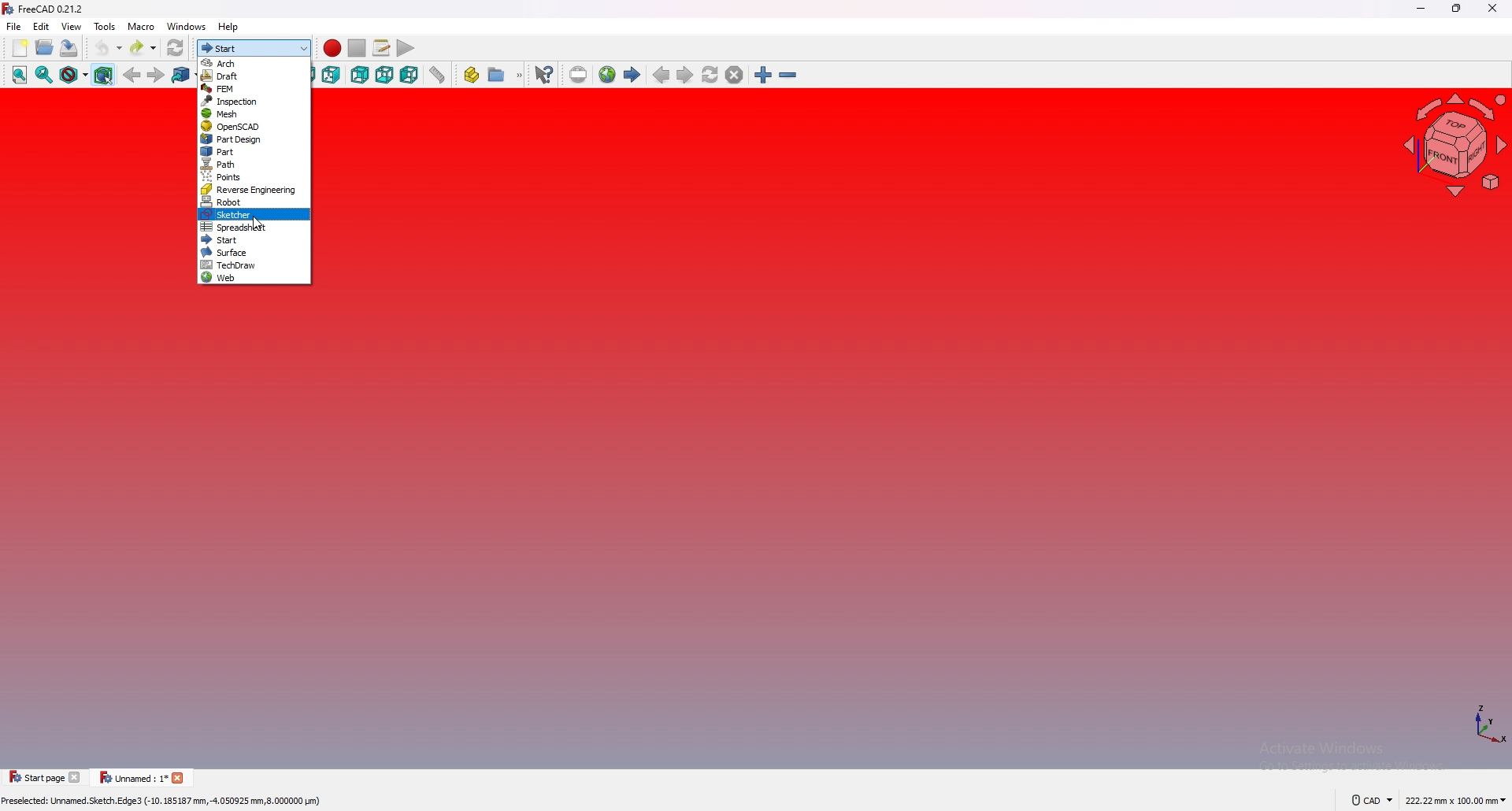 This screenshot has width=1512, height=811. Describe the element at coordinates (254, 164) in the screenshot. I see `path` at that location.